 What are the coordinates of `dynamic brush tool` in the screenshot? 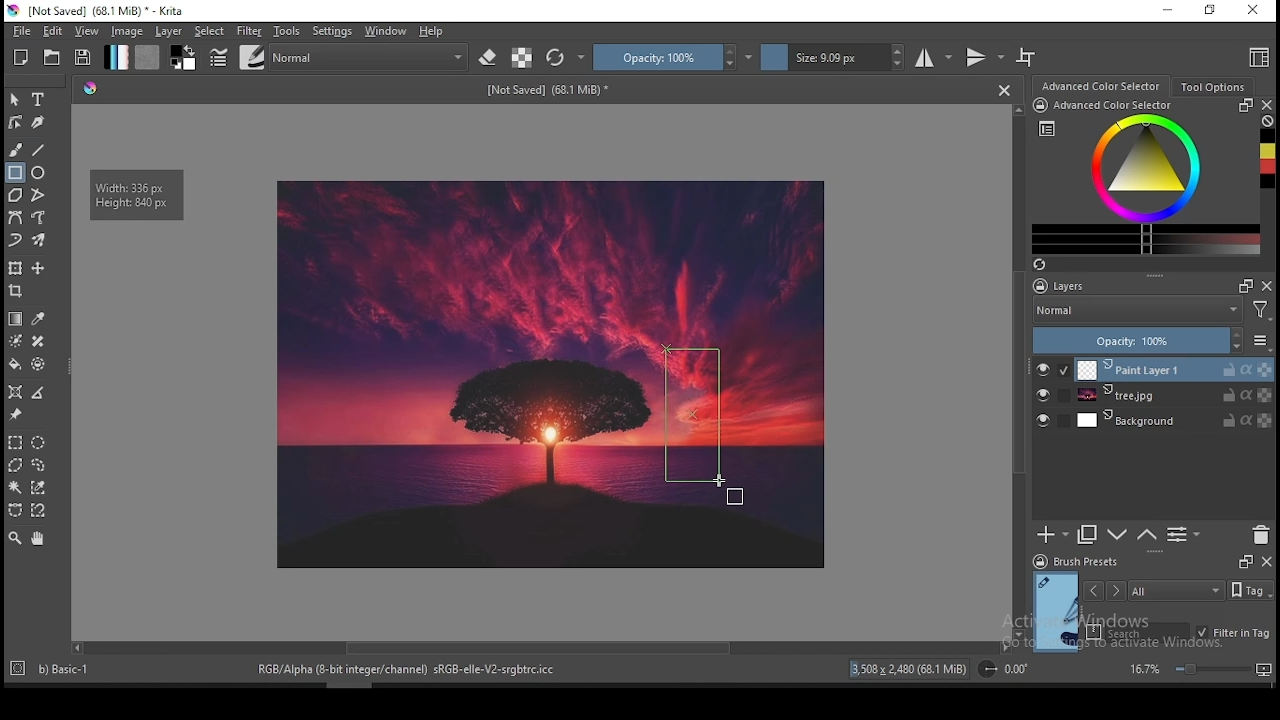 It's located at (16, 239).